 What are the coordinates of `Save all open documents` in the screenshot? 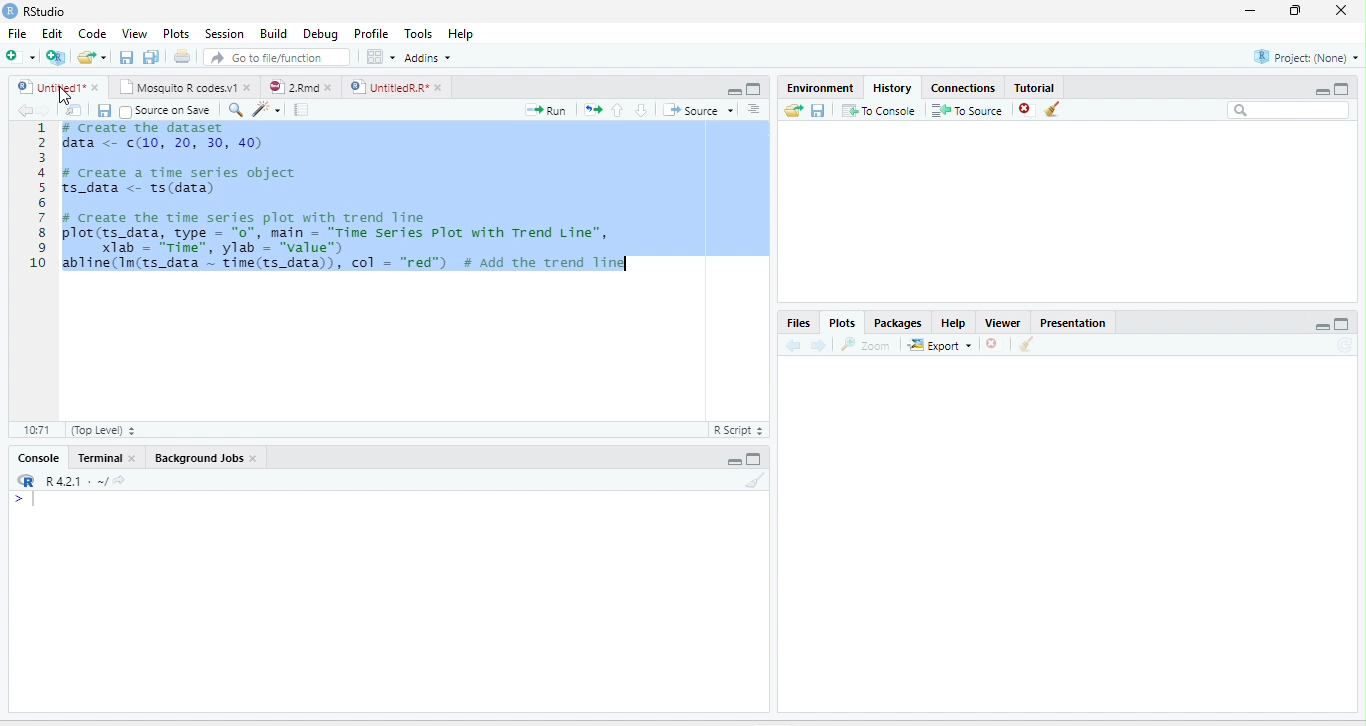 It's located at (151, 56).